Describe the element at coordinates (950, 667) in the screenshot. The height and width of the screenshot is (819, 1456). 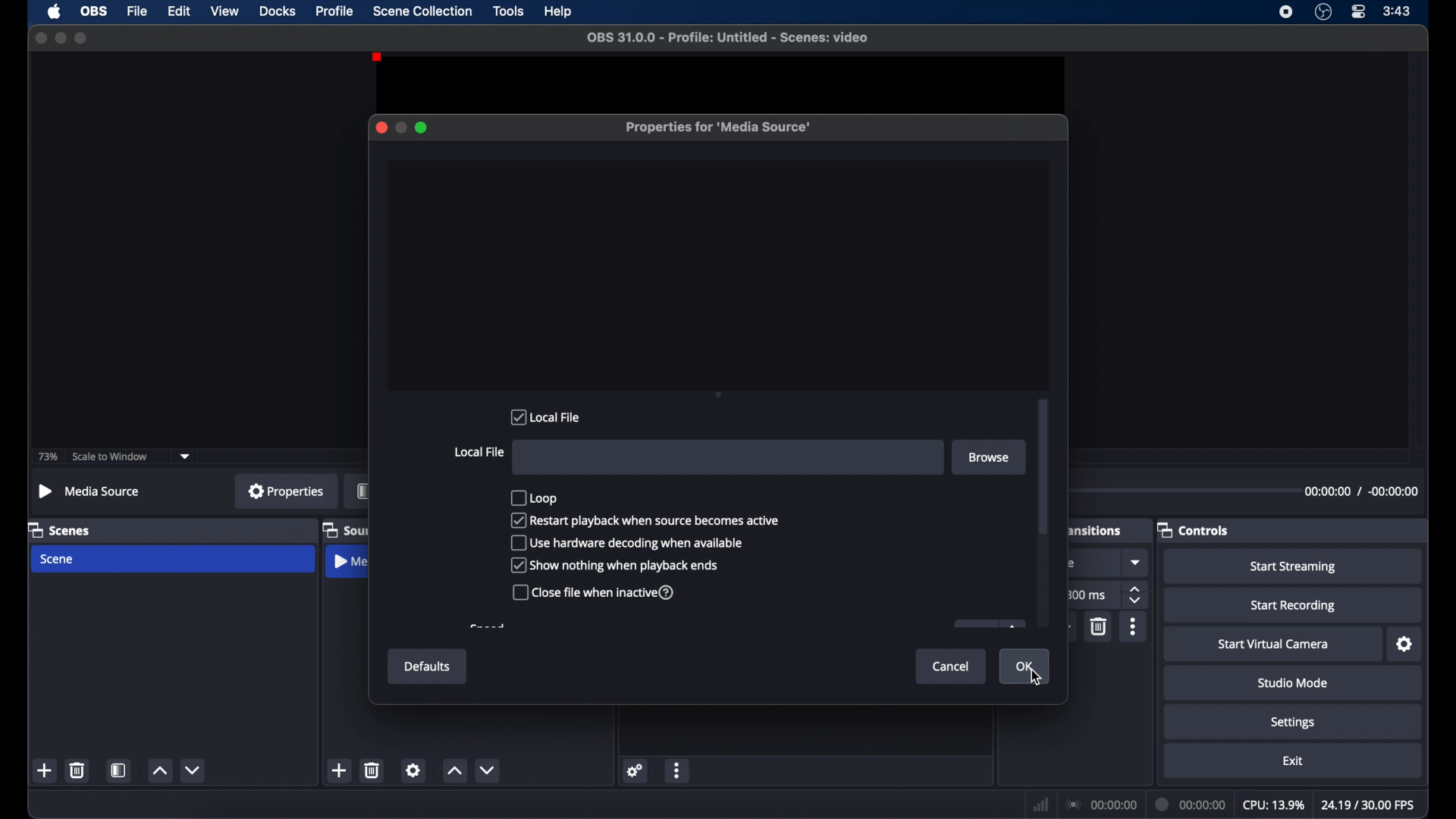
I see `cancel` at that location.